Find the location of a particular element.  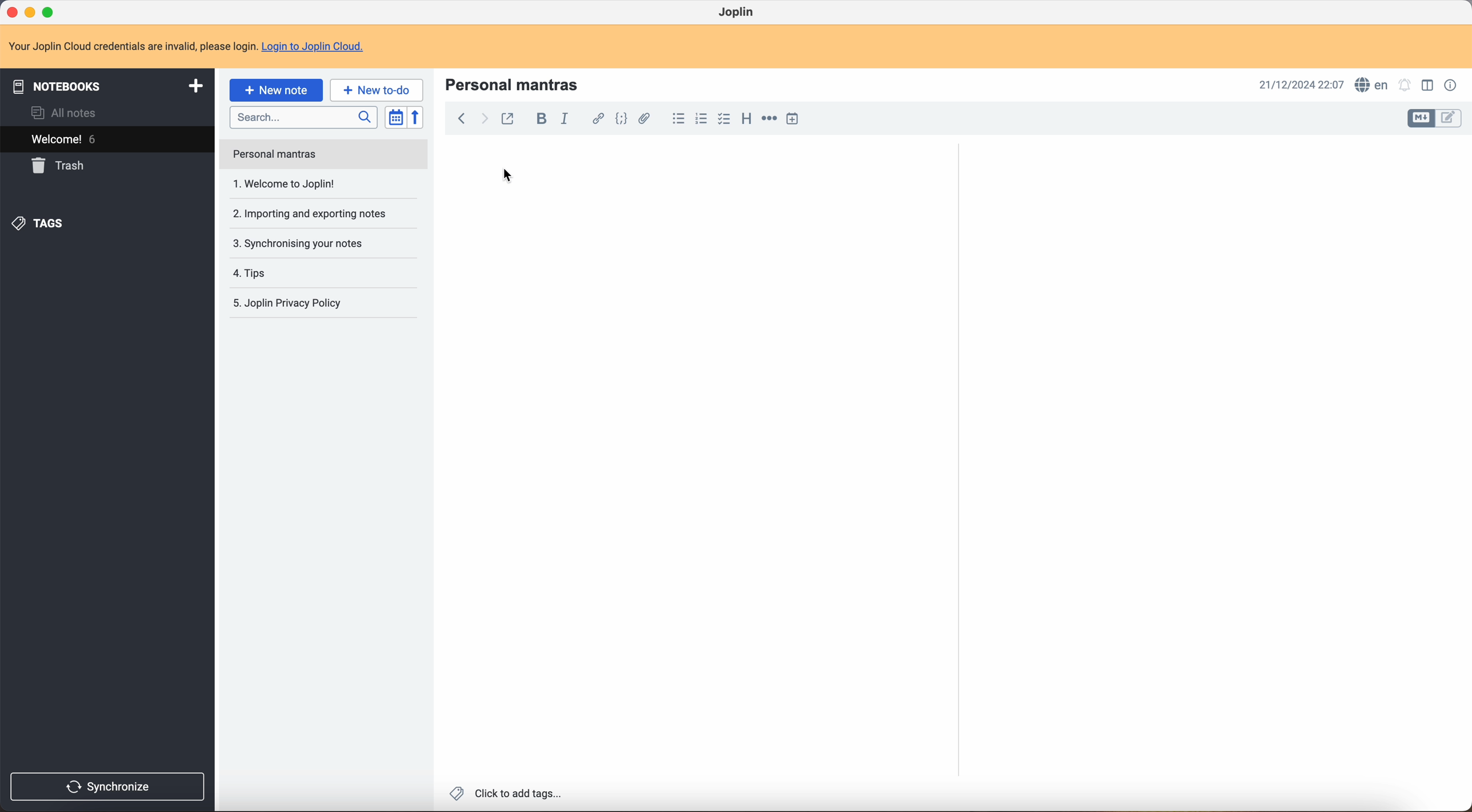

body text is located at coordinates (1210, 432).